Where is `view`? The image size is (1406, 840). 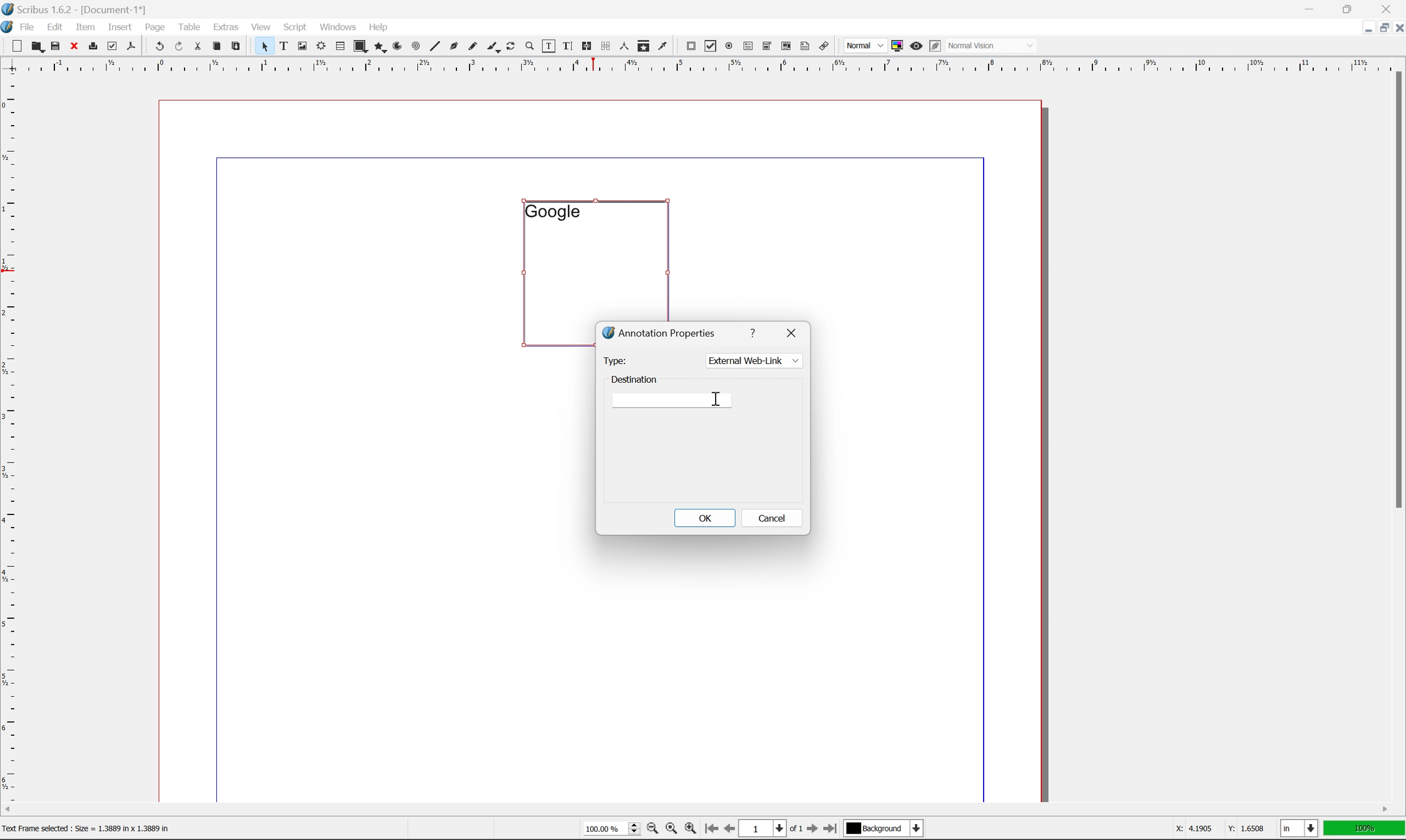 view is located at coordinates (263, 26).